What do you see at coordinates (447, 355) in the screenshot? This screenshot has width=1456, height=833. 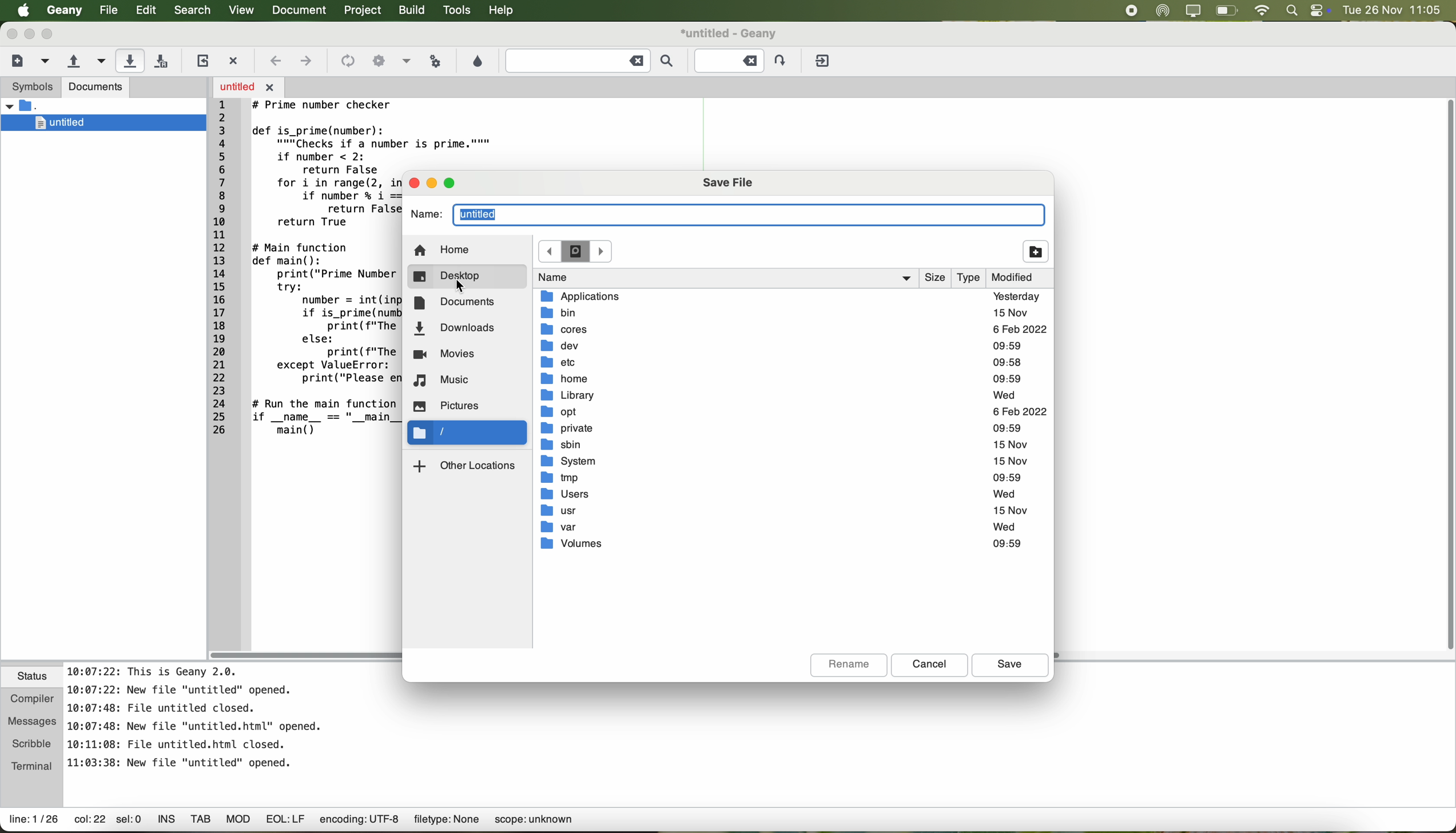 I see `movies` at bounding box center [447, 355].